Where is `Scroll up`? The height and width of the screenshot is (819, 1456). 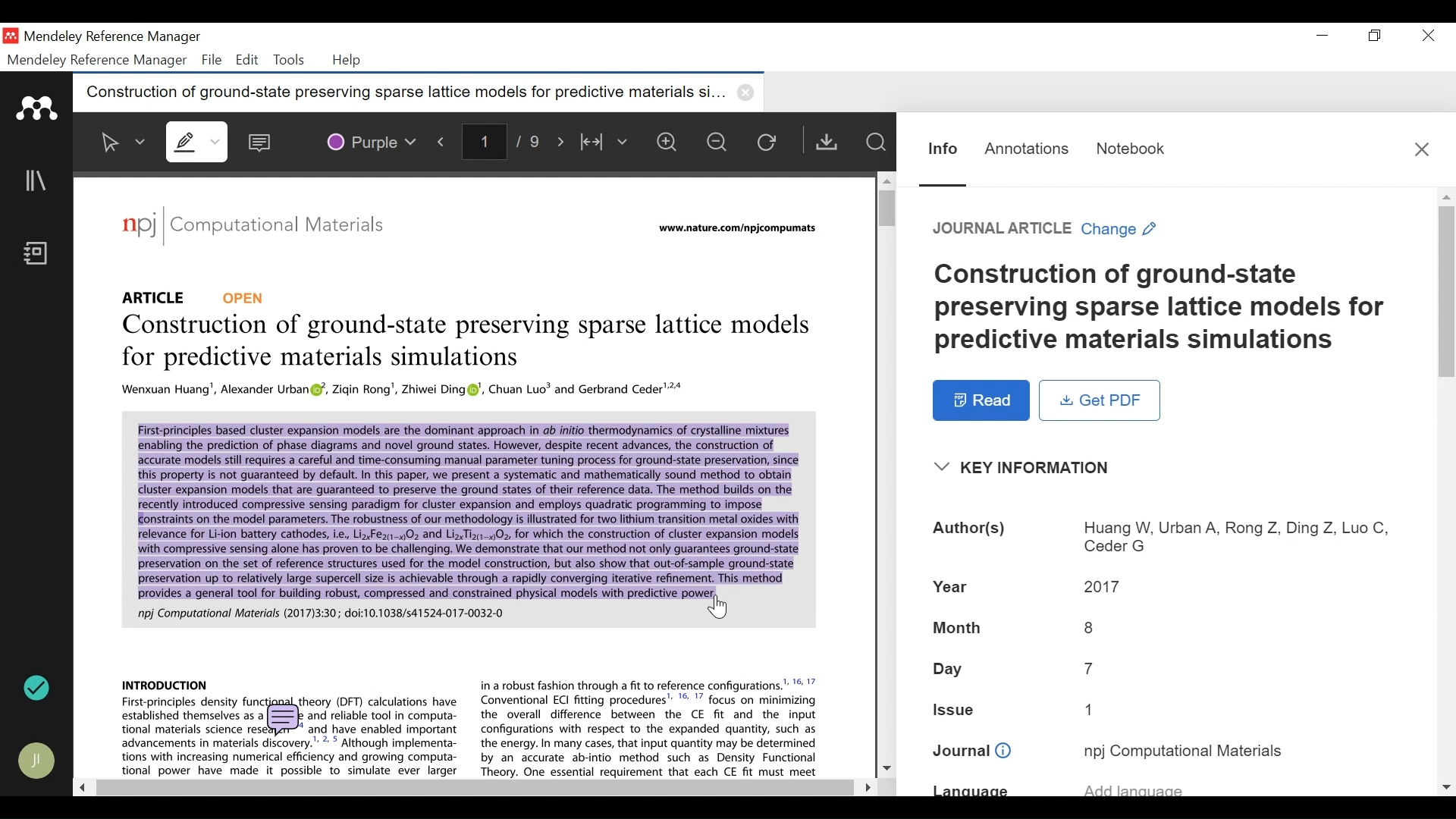 Scroll up is located at coordinates (885, 180).